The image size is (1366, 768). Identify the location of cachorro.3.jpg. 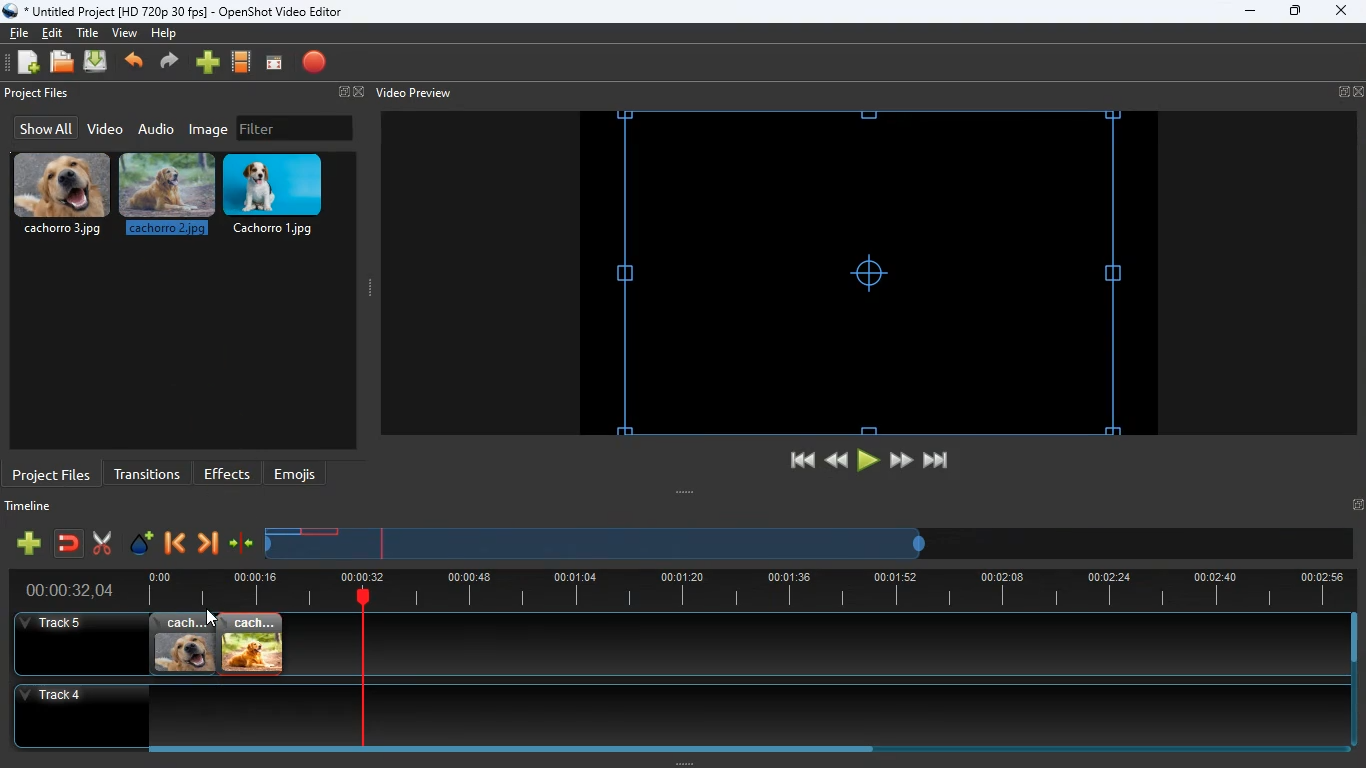
(183, 644).